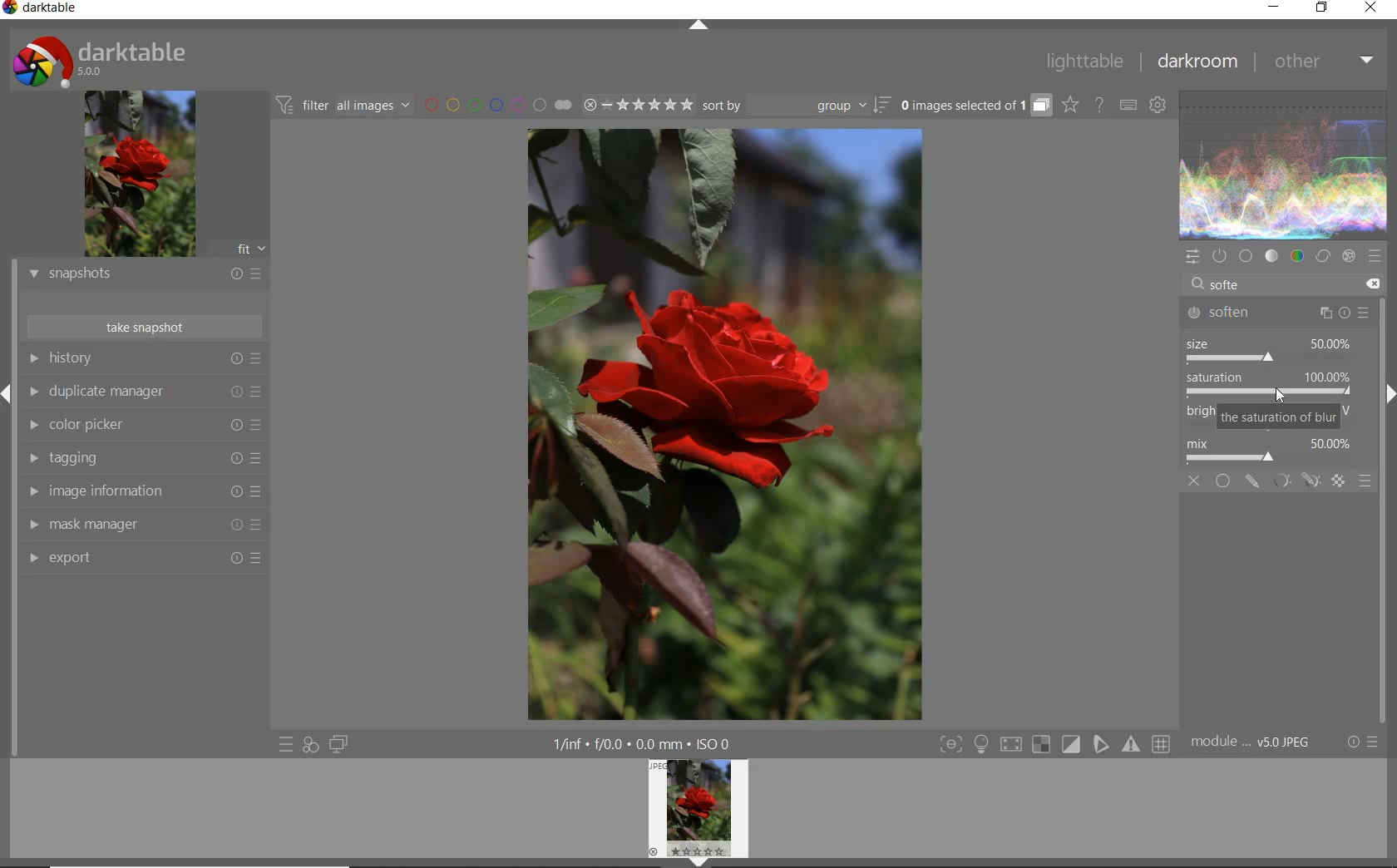 This screenshot has width=1397, height=868. Describe the element at coordinates (1324, 10) in the screenshot. I see `restore` at that location.